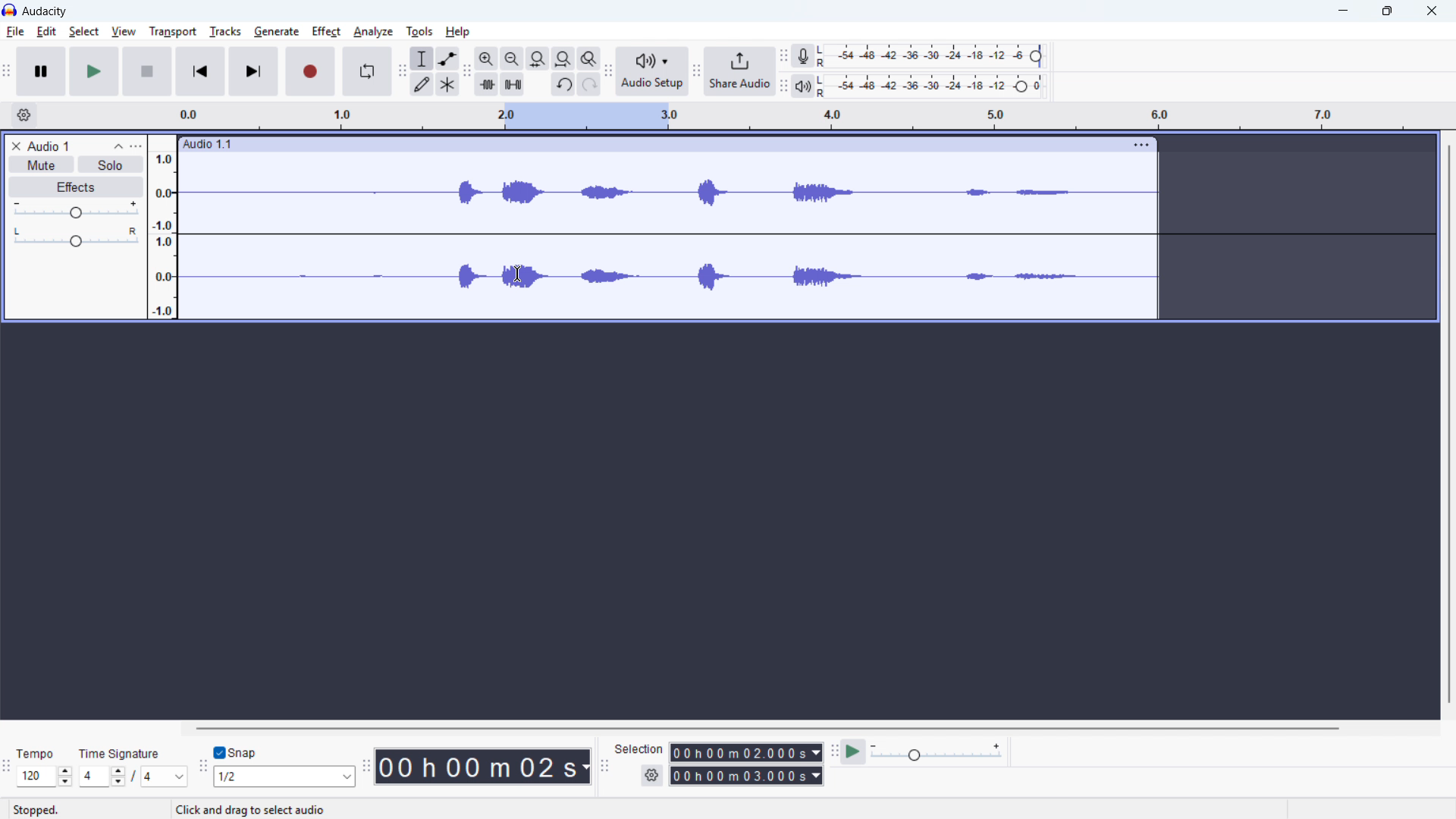  I want to click on Selection start time, so click(747, 752).